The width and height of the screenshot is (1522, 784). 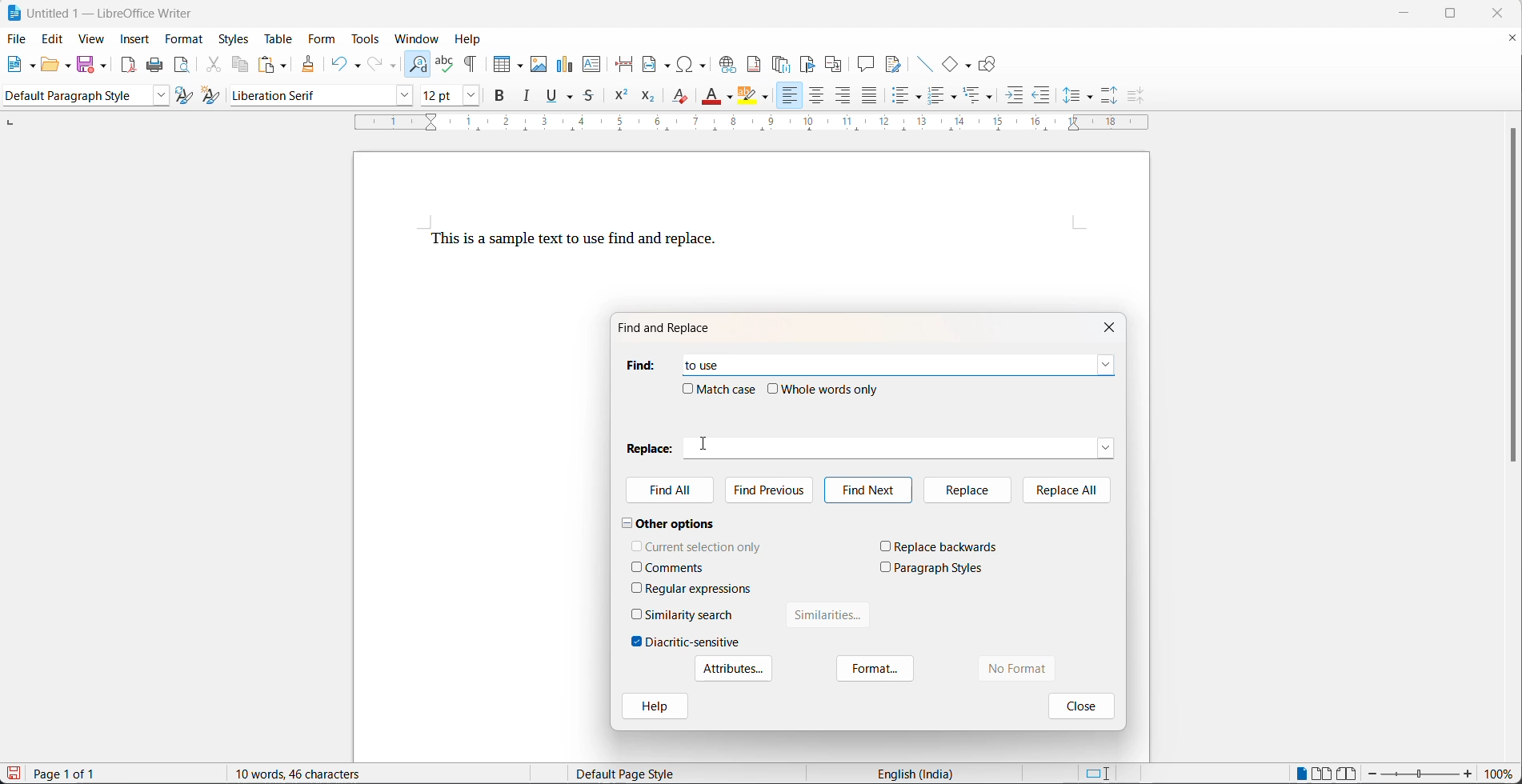 I want to click on toggle formatting marks, so click(x=475, y=59).